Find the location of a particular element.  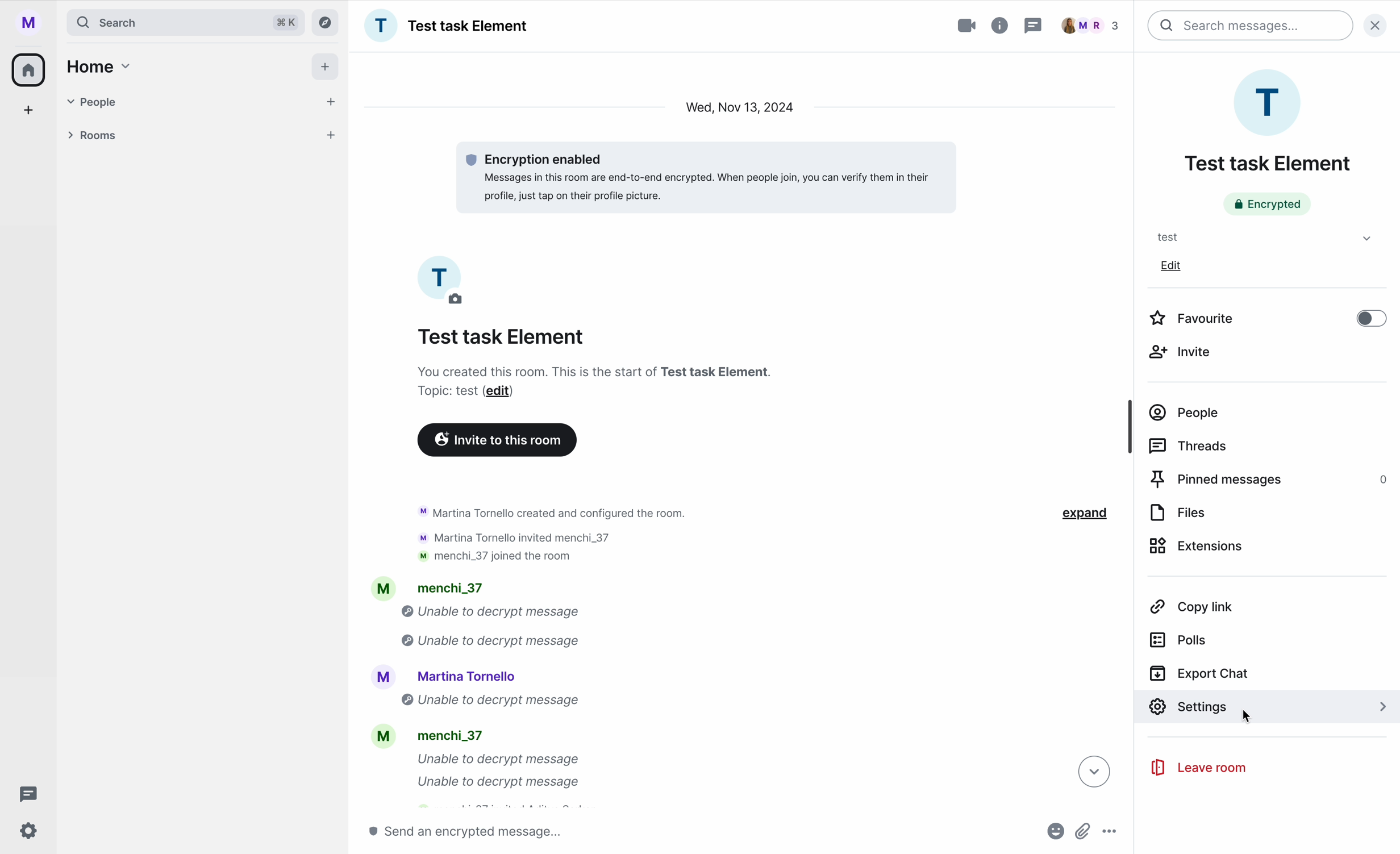

home icon is located at coordinates (31, 68).